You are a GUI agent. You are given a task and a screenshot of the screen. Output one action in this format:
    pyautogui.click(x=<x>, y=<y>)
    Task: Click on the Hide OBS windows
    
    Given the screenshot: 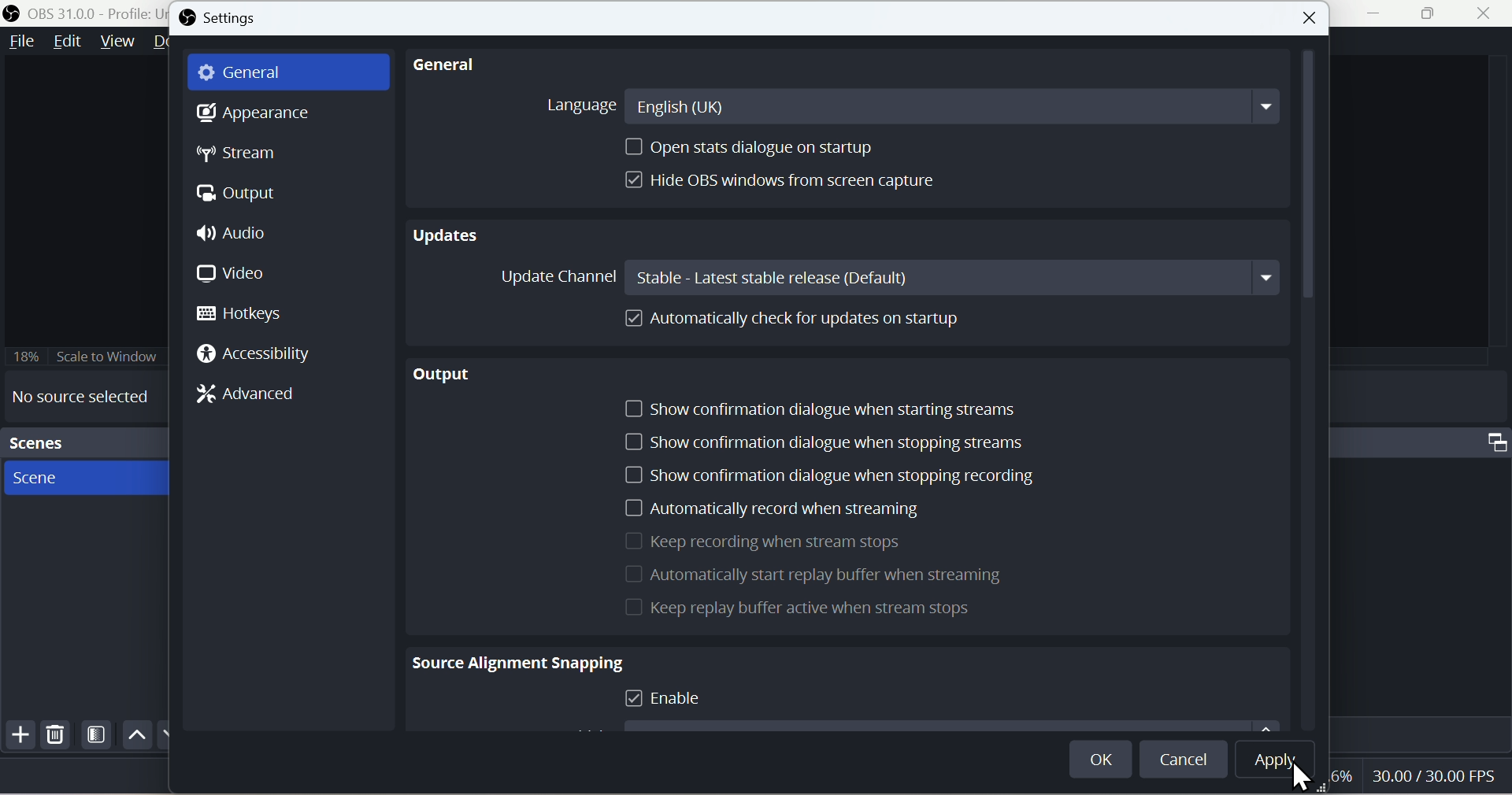 What is the action you would take?
    pyautogui.click(x=785, y=180)
    